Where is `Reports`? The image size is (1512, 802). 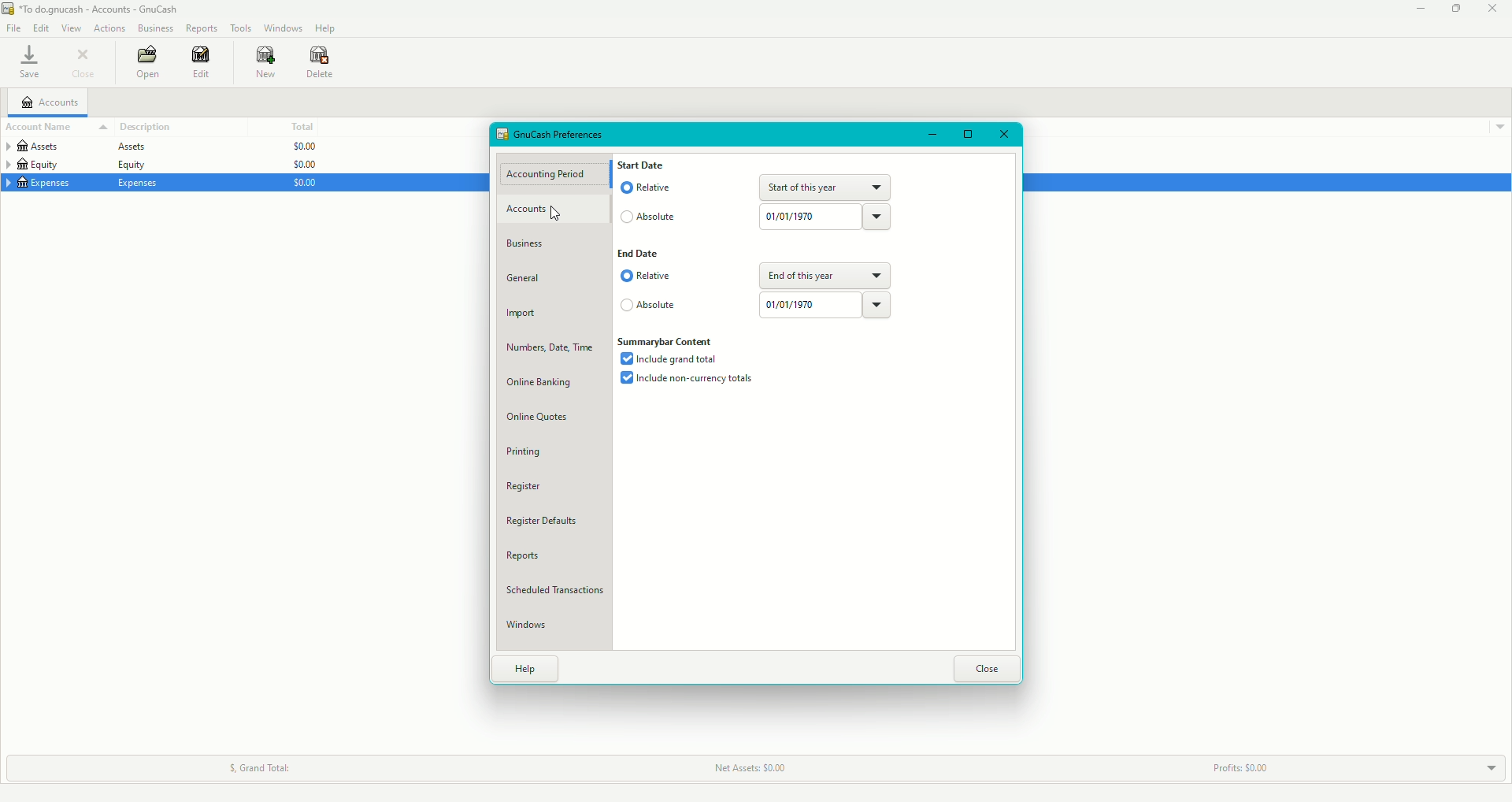 Reports is located at coordinates (203, 28).